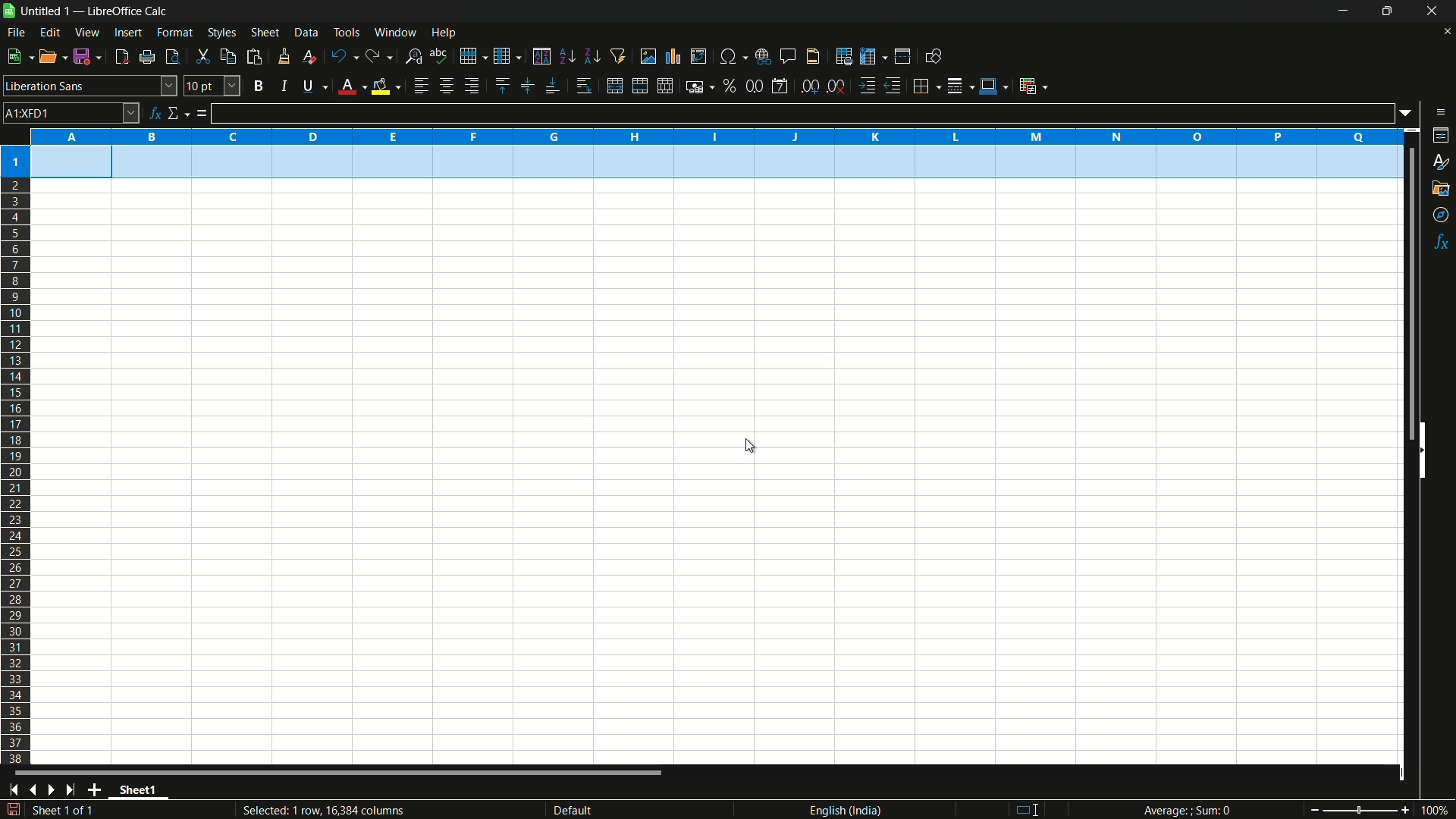 This screenshot has width=1456, height=819. I want to click on file menu, so click(16, 33).